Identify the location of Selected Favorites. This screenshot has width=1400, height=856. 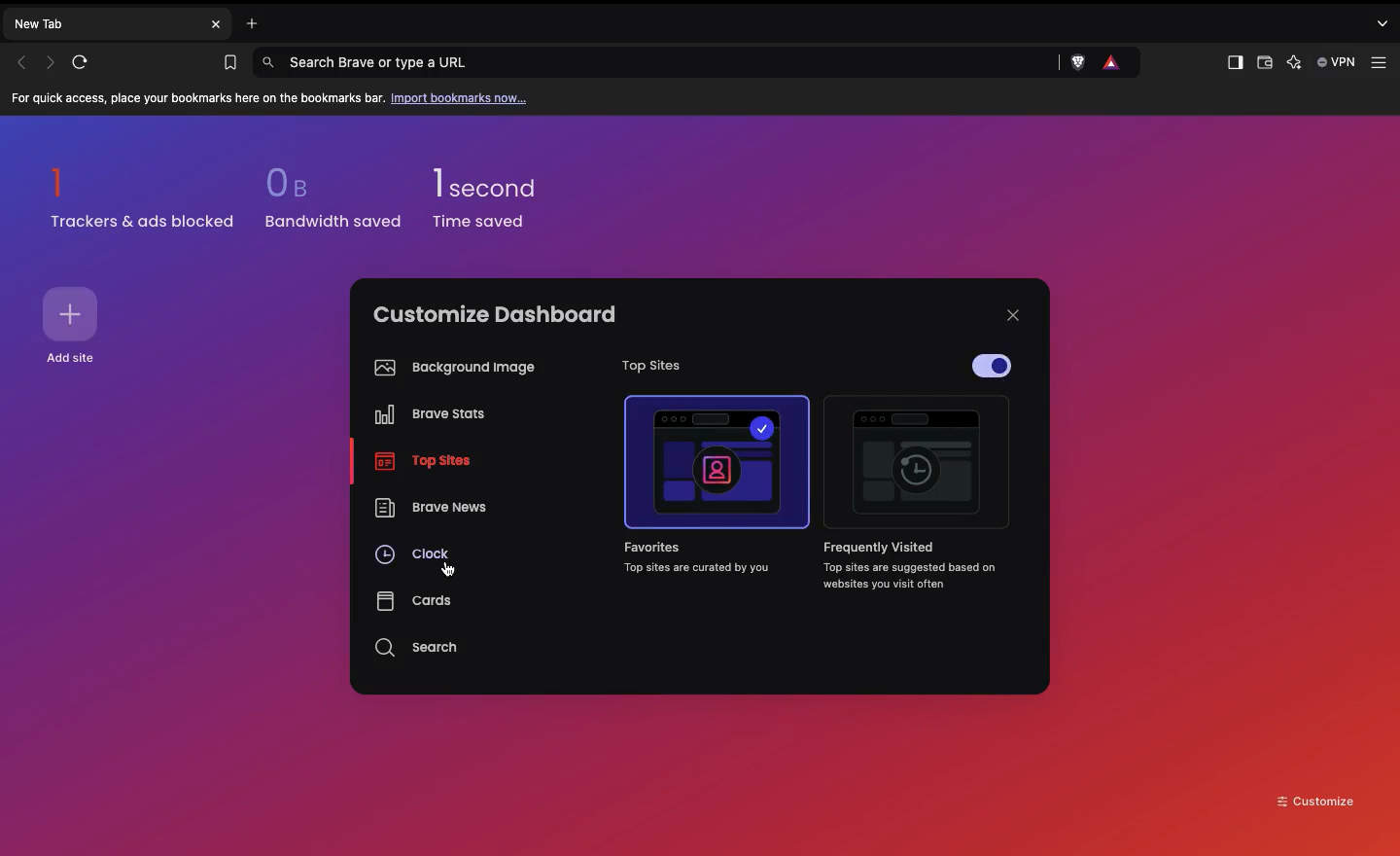
(717, 462).